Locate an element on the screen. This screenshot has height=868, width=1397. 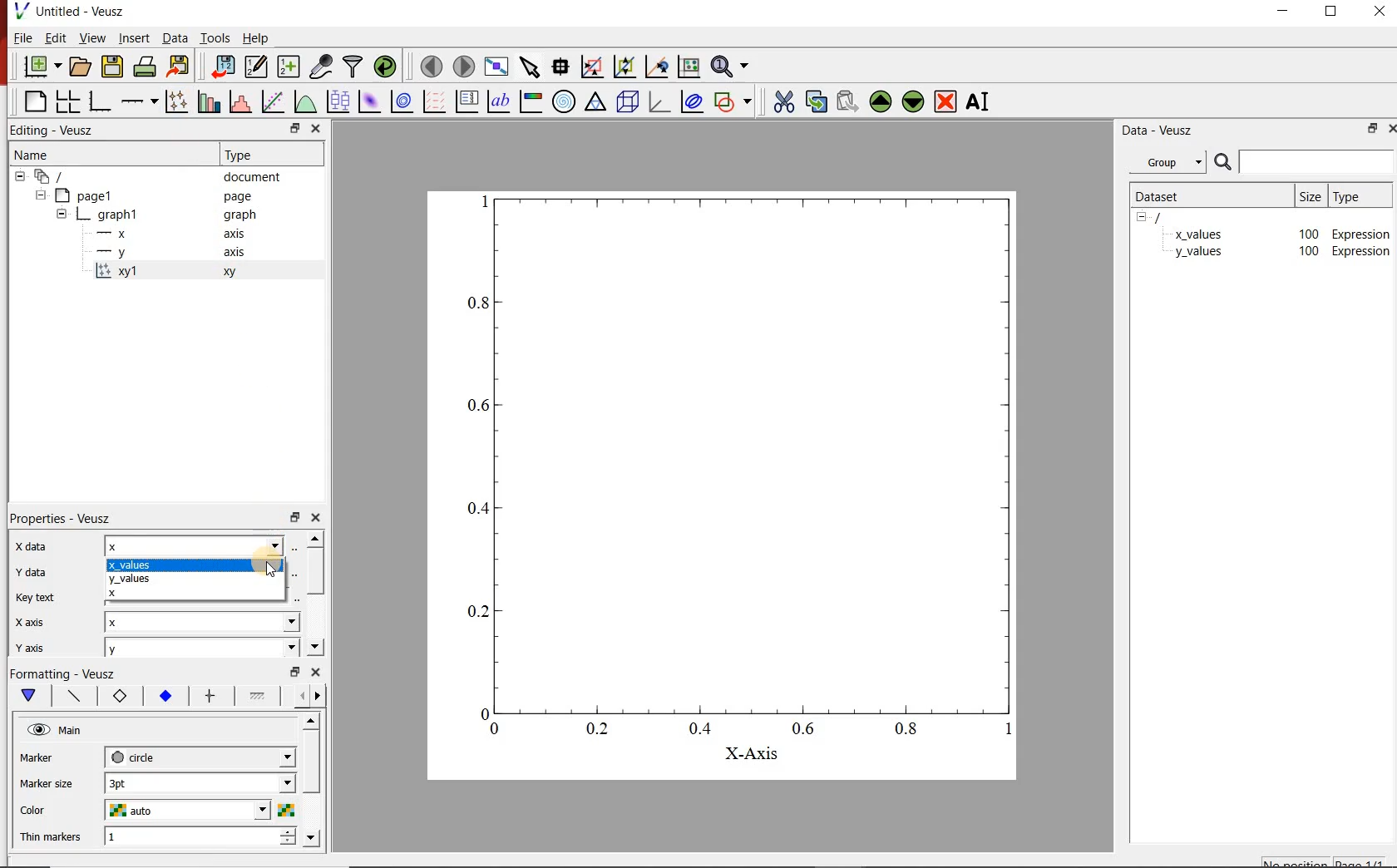
x is located at coordinates (201, 623).